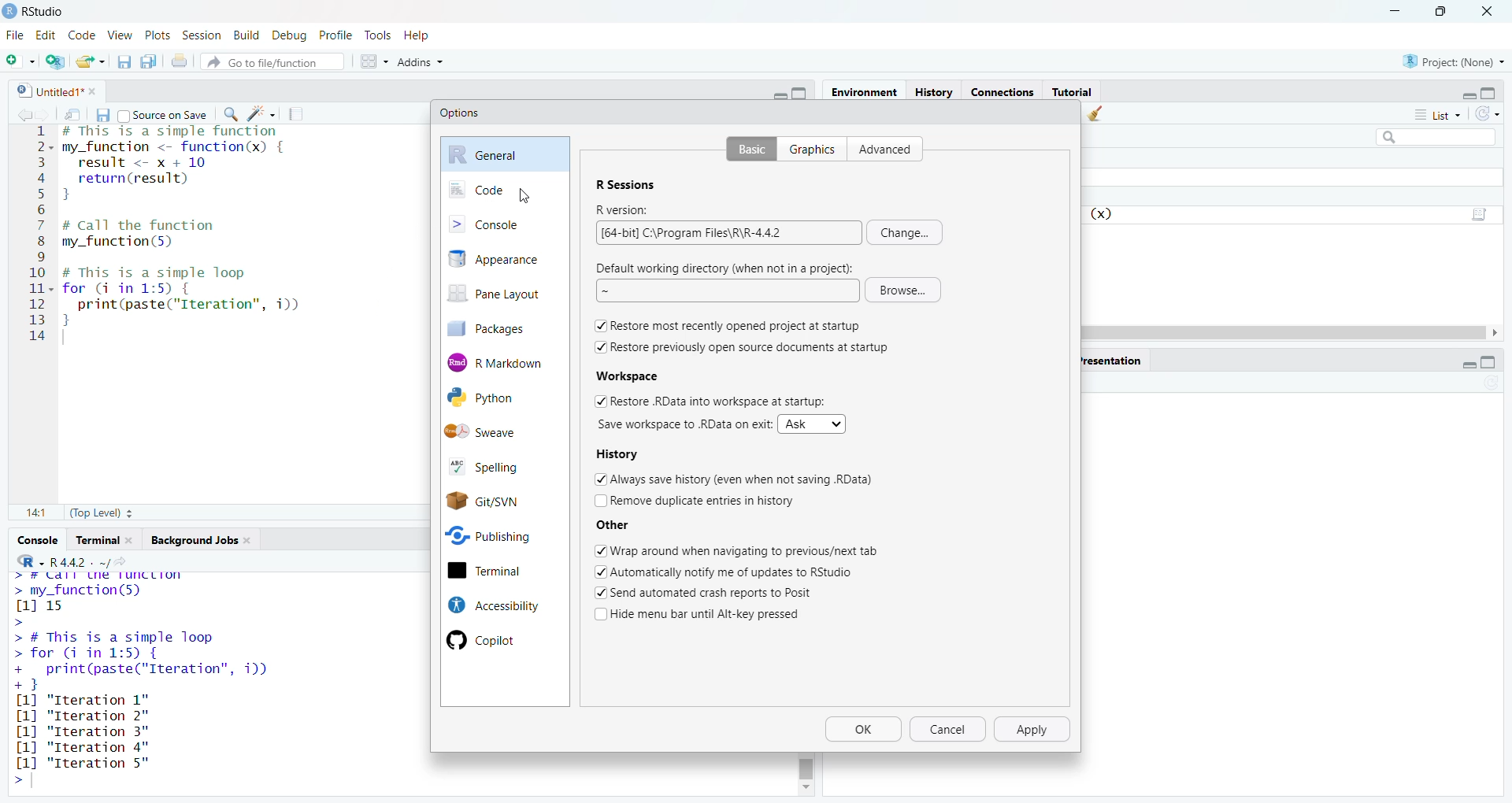 This screenshot has width=1512, height=803. I want to click on Git/SVN, so click(503, 500).